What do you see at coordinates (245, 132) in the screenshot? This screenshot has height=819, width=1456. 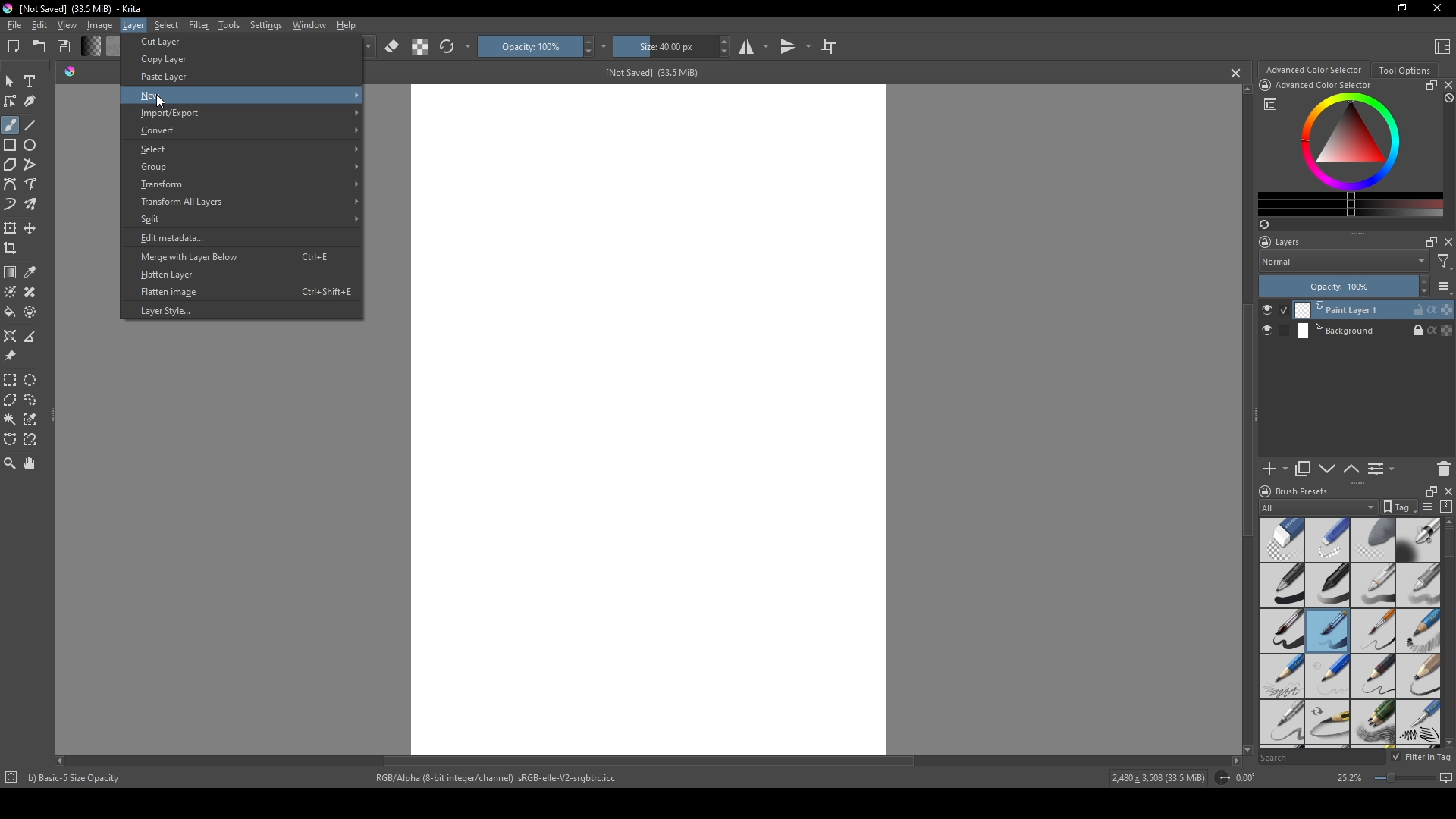 I see `Convert` at bounding box center [245, 132].